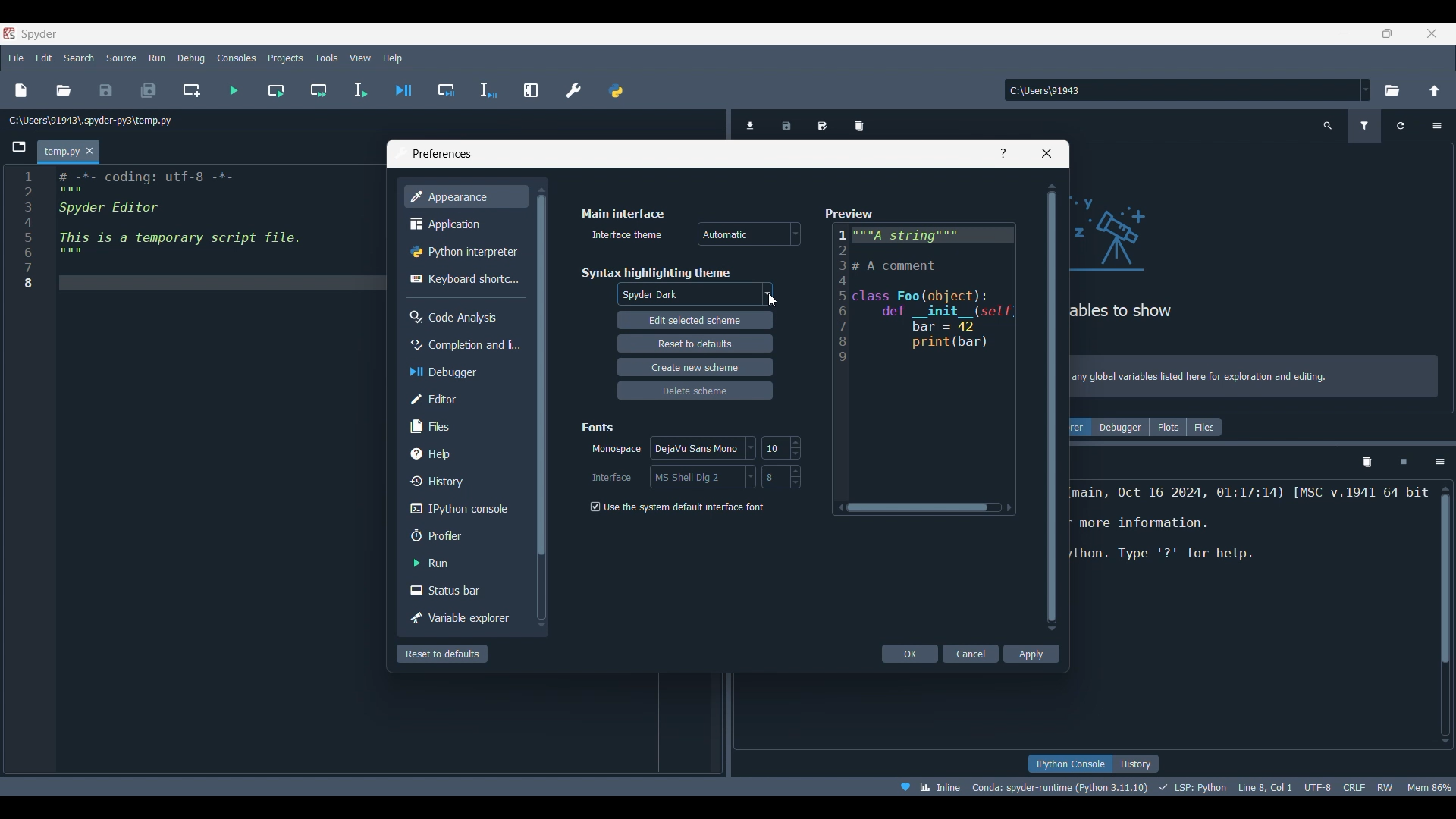 This screenshot has width=1456, height=819. What do you see at coordinates (695, 322) in the screenshot?
I see `edit selected theme` at bounding box center [695, 322].